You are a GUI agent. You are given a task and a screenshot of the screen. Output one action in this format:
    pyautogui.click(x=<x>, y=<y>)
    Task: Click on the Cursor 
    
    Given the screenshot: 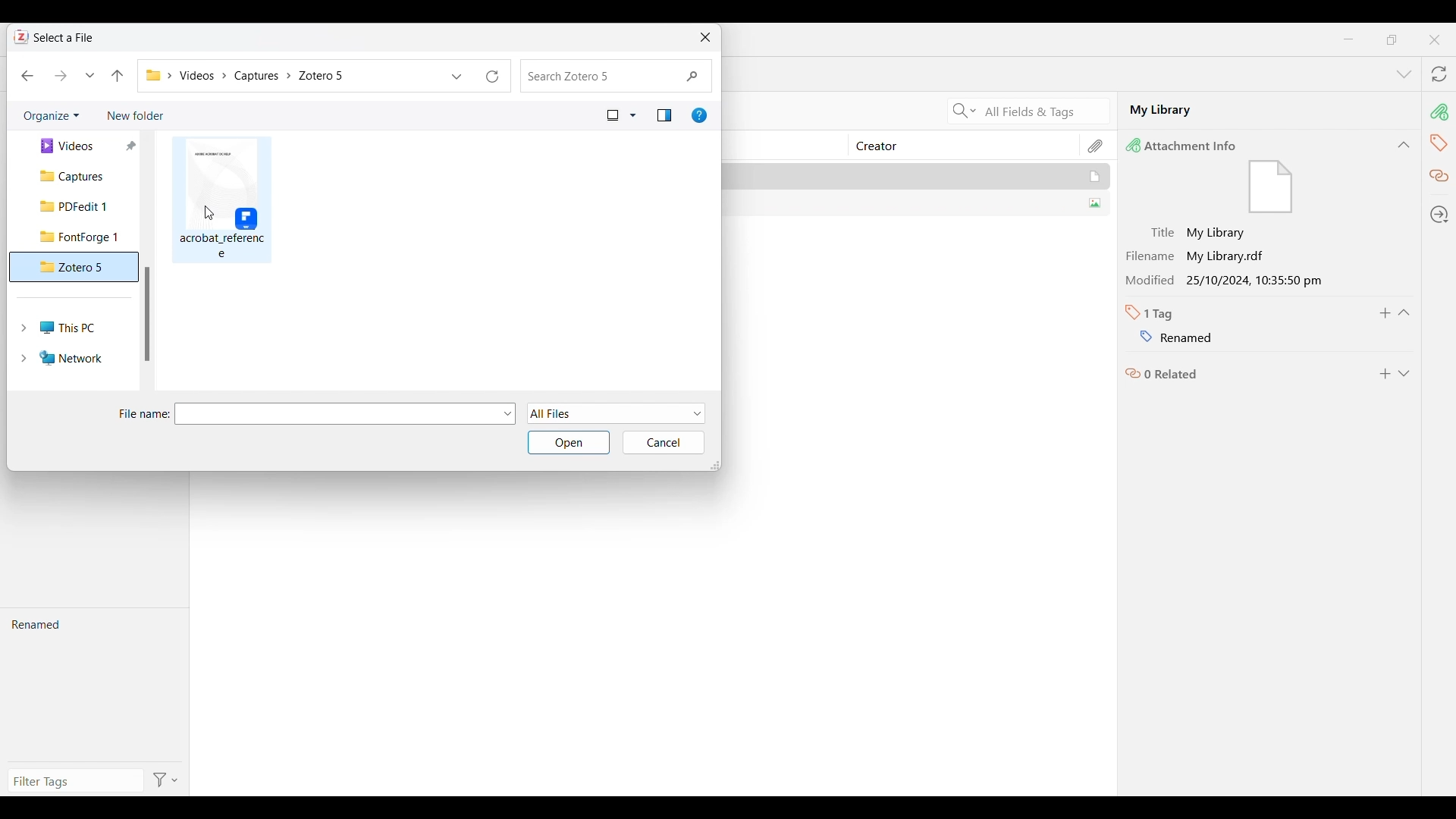 What is the action you would take?
    pyautogui.click(x=209, y=212)
    